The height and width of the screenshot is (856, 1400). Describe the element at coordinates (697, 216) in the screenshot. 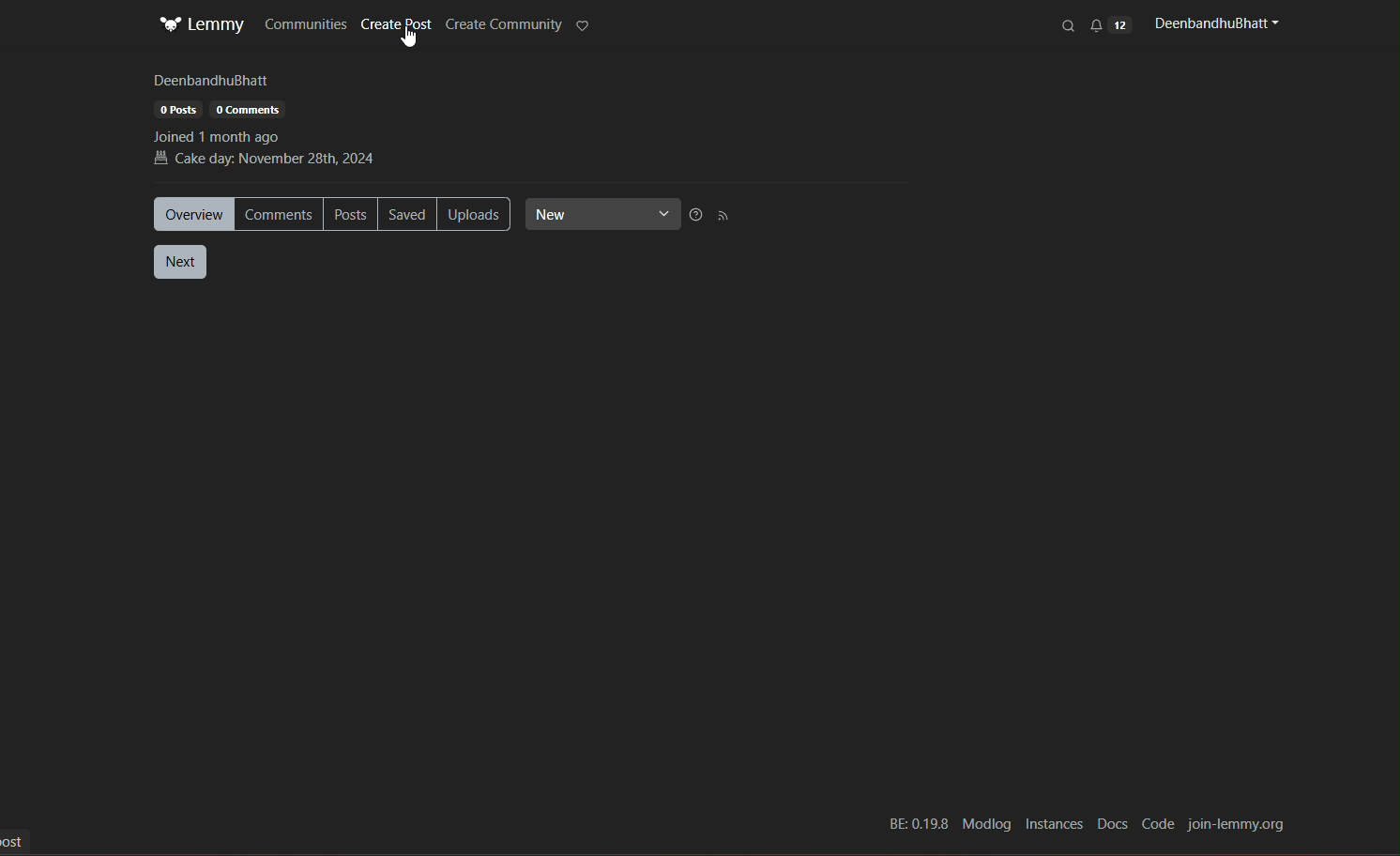

I see `help` at that location.